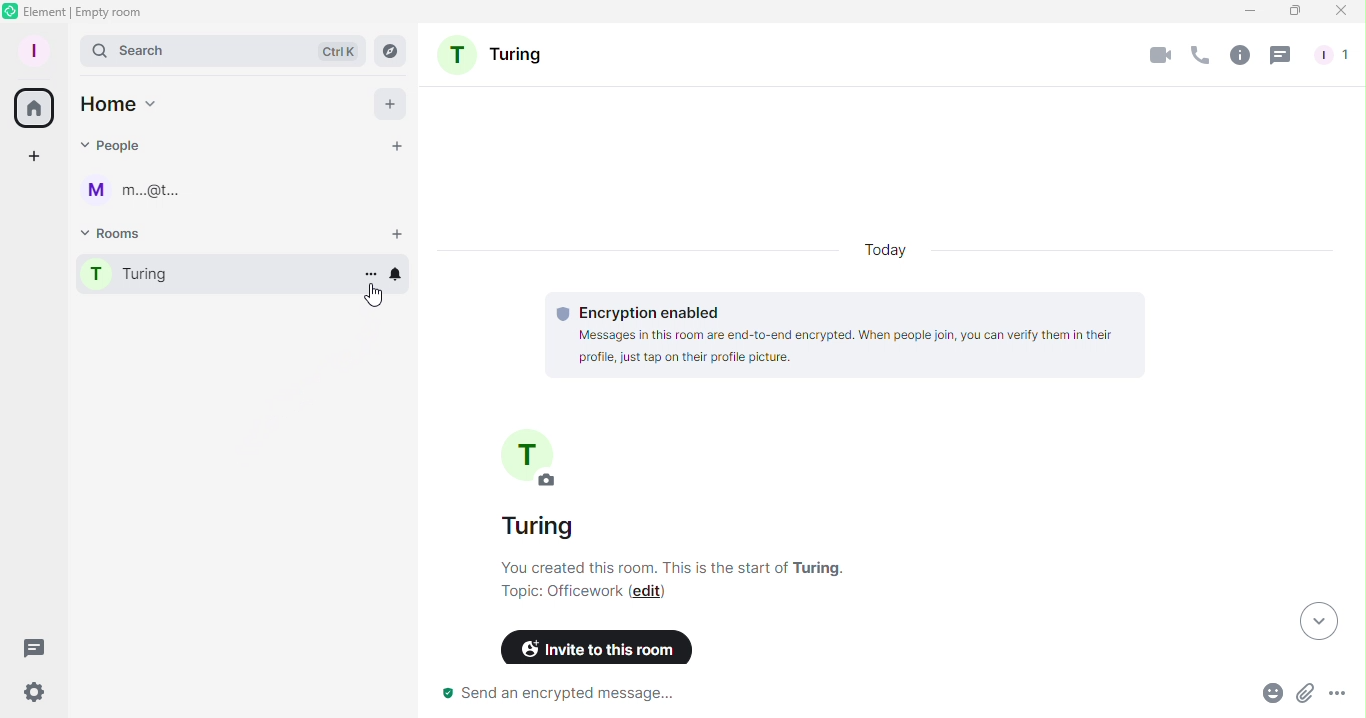 The height and width of the screenshot is (718, 1366). Describe the element at coordinates (562, 52) in the screenshot. I see `Turing room` at that location.